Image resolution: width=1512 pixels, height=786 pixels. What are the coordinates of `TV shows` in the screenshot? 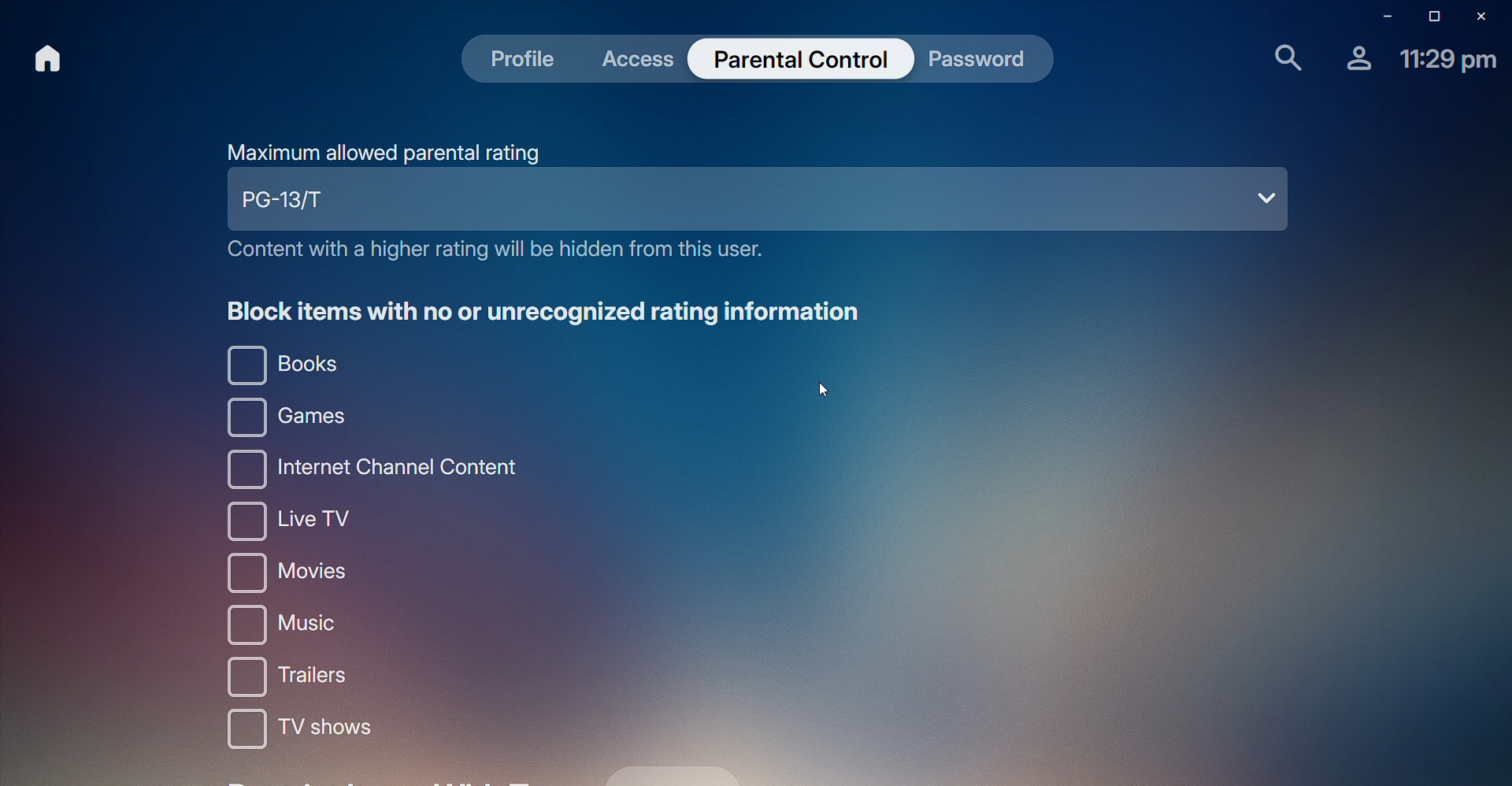 It's located at (295, 735).